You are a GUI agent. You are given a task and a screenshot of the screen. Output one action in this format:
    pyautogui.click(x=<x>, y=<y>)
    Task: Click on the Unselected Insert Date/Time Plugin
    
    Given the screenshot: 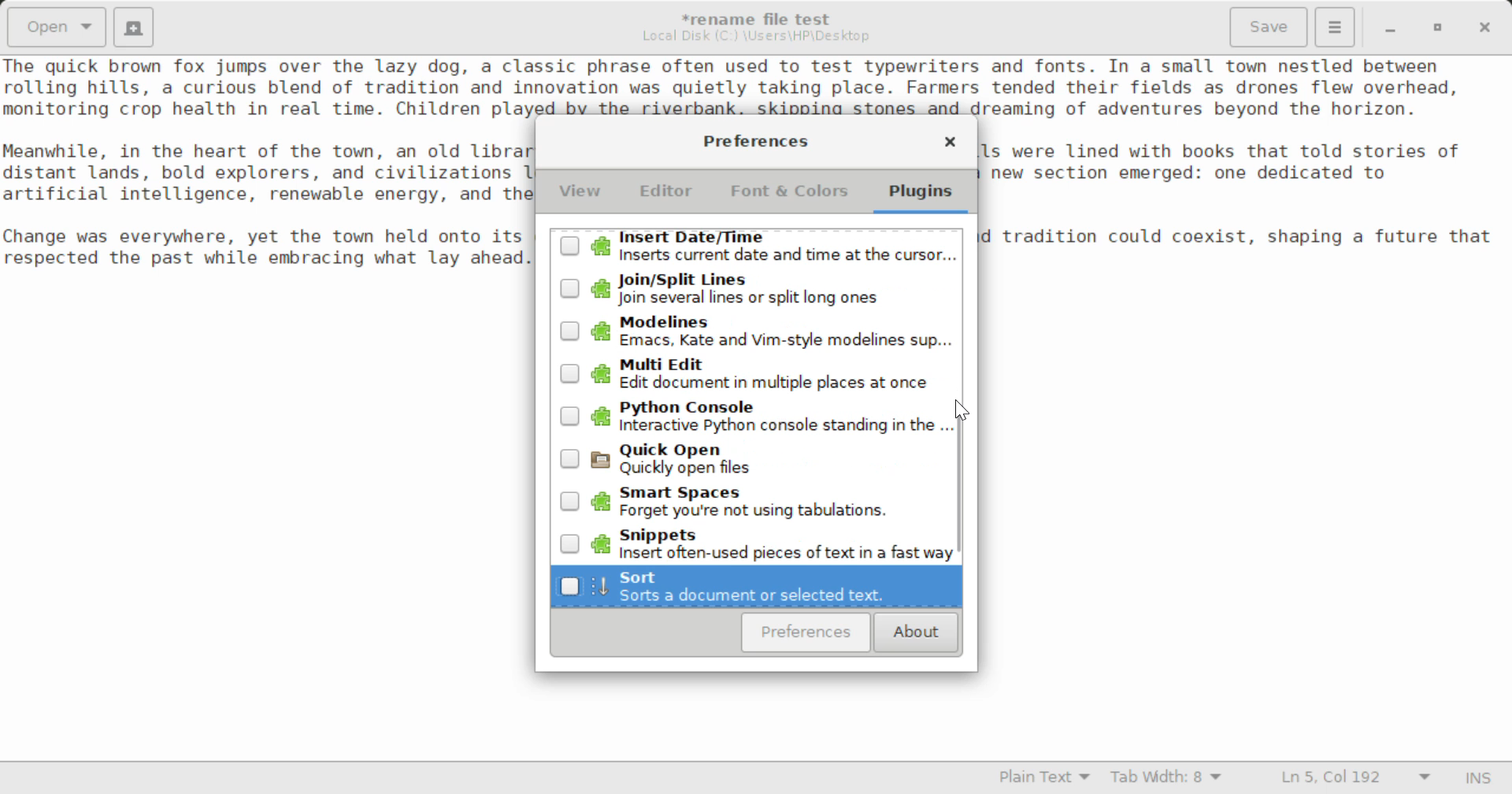 What is the action you would take?
    pyautogui.click(x=754, y=250)
    